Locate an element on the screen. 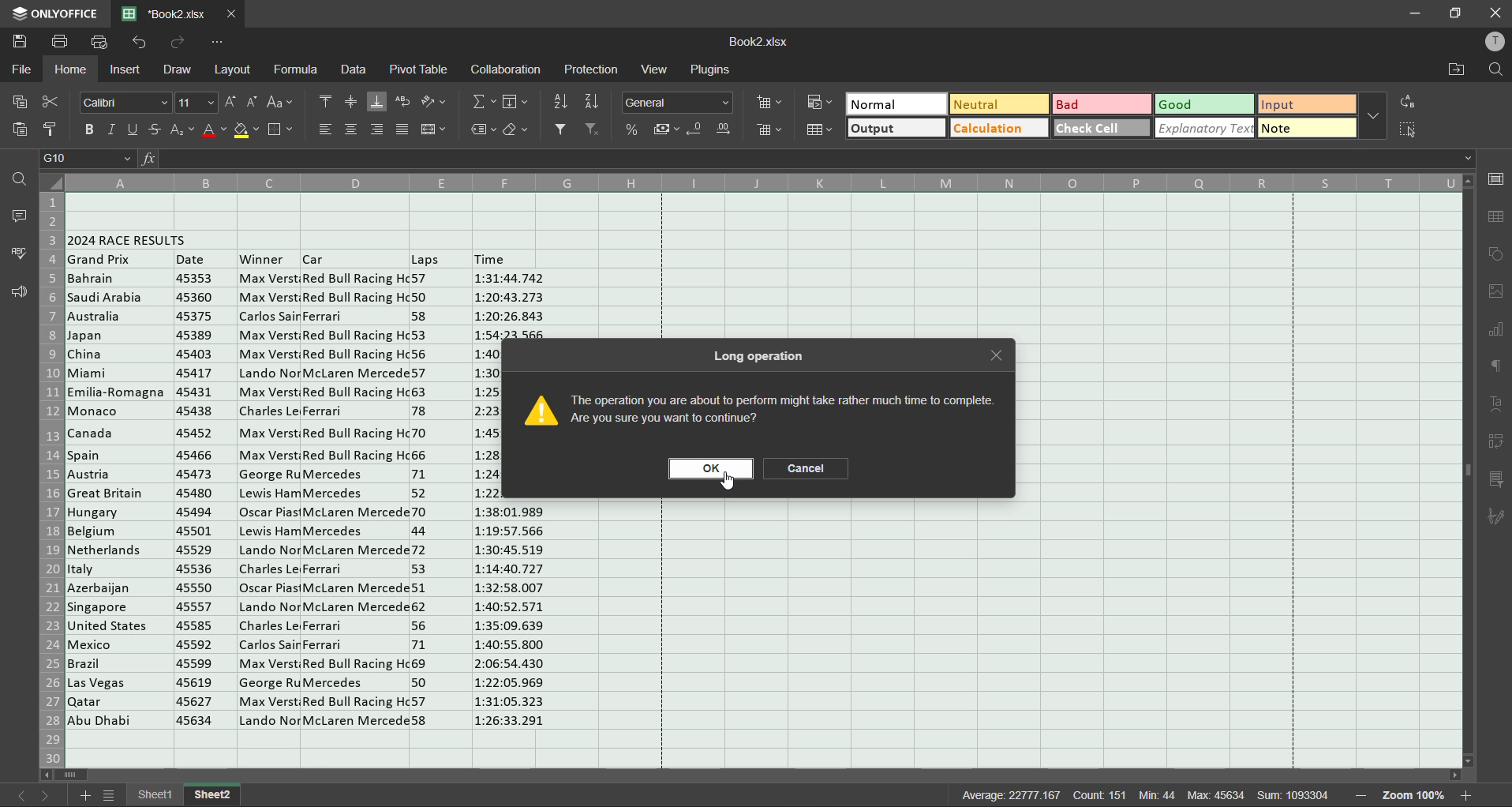 The width and height of the screenshot is (1512, 807).  is located at coordinates (319, 259).